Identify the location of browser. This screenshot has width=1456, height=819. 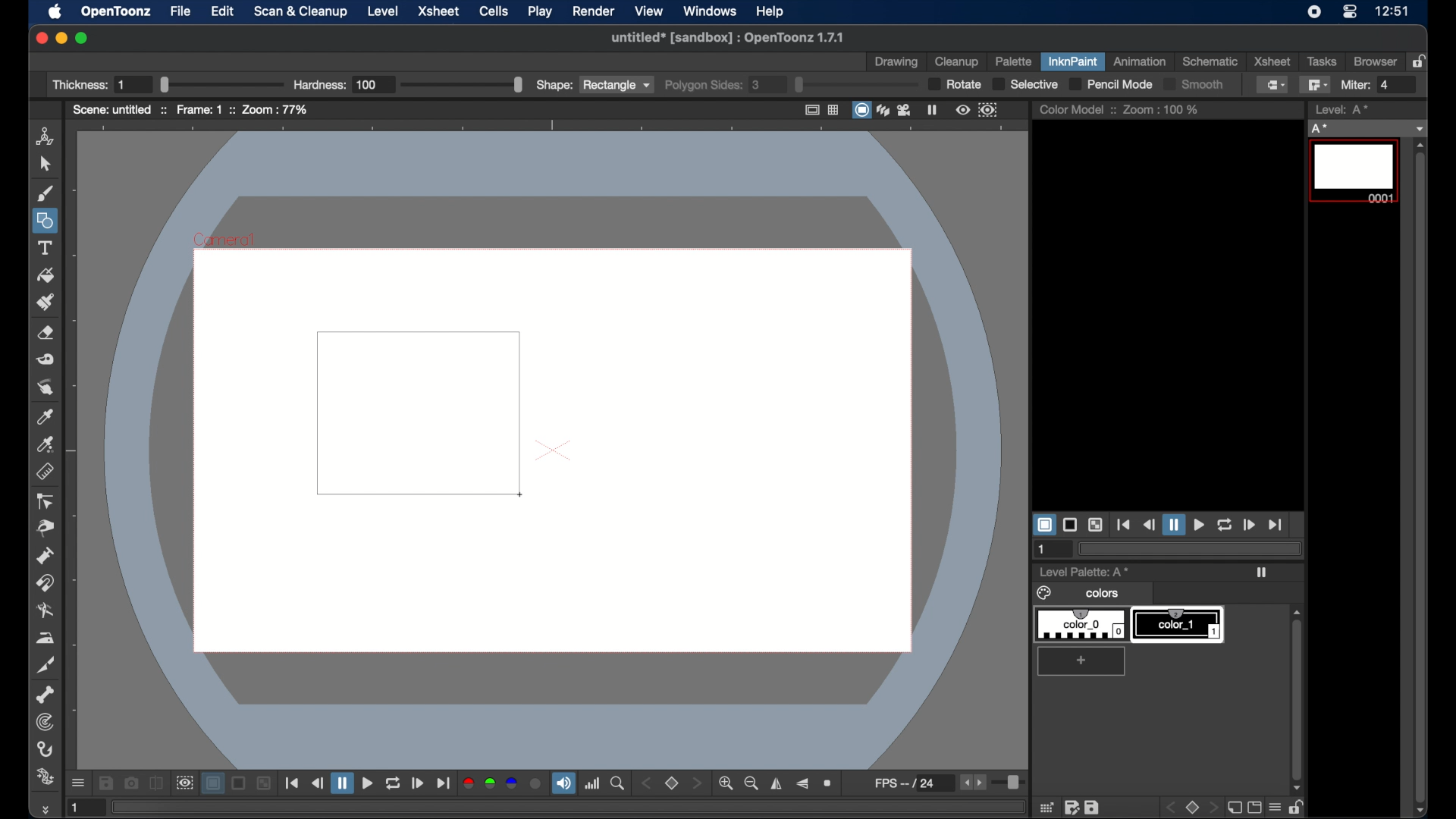
(1376, 61).